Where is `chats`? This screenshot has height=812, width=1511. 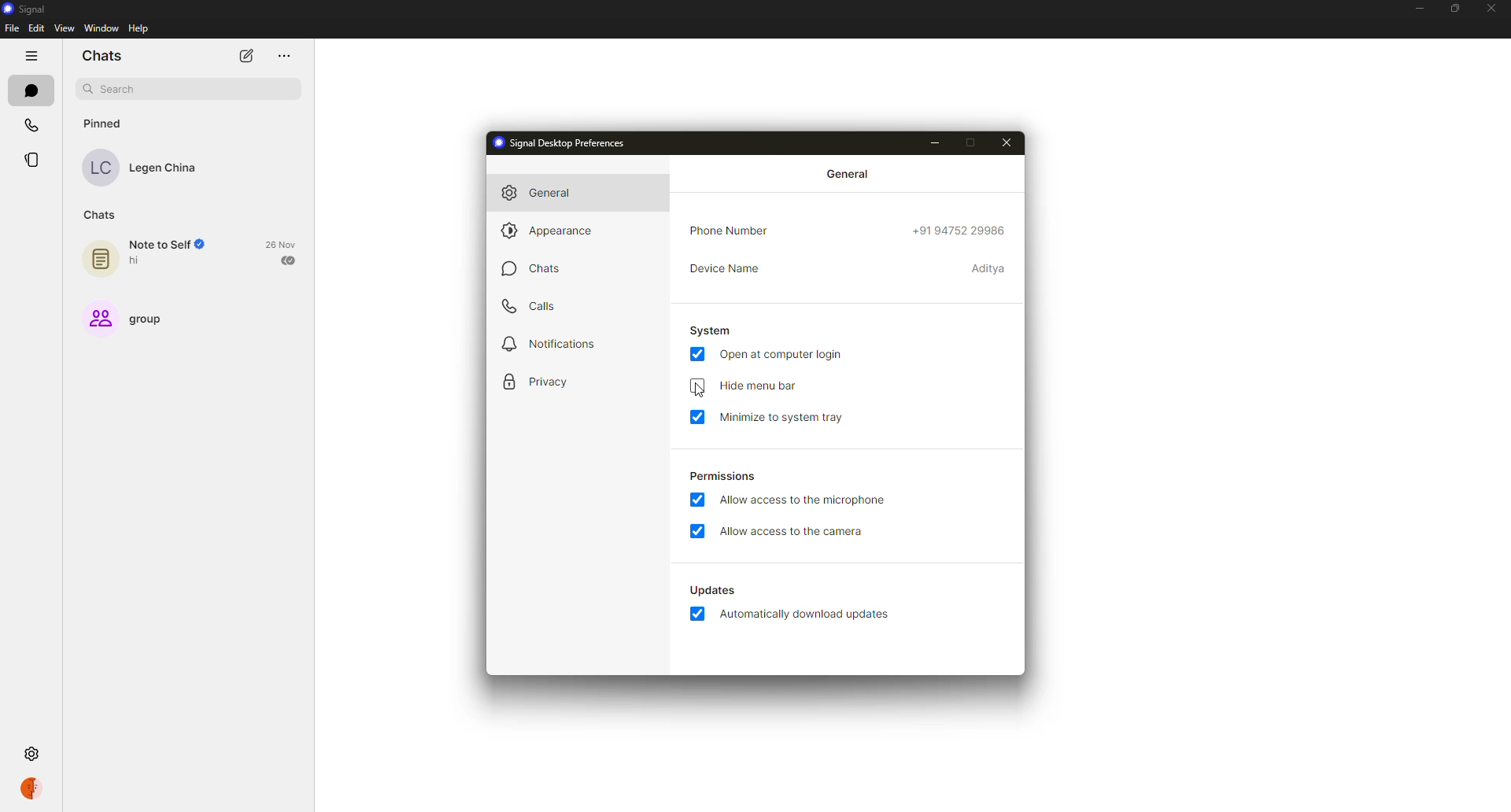 chats is located at coordinates (102, 215).